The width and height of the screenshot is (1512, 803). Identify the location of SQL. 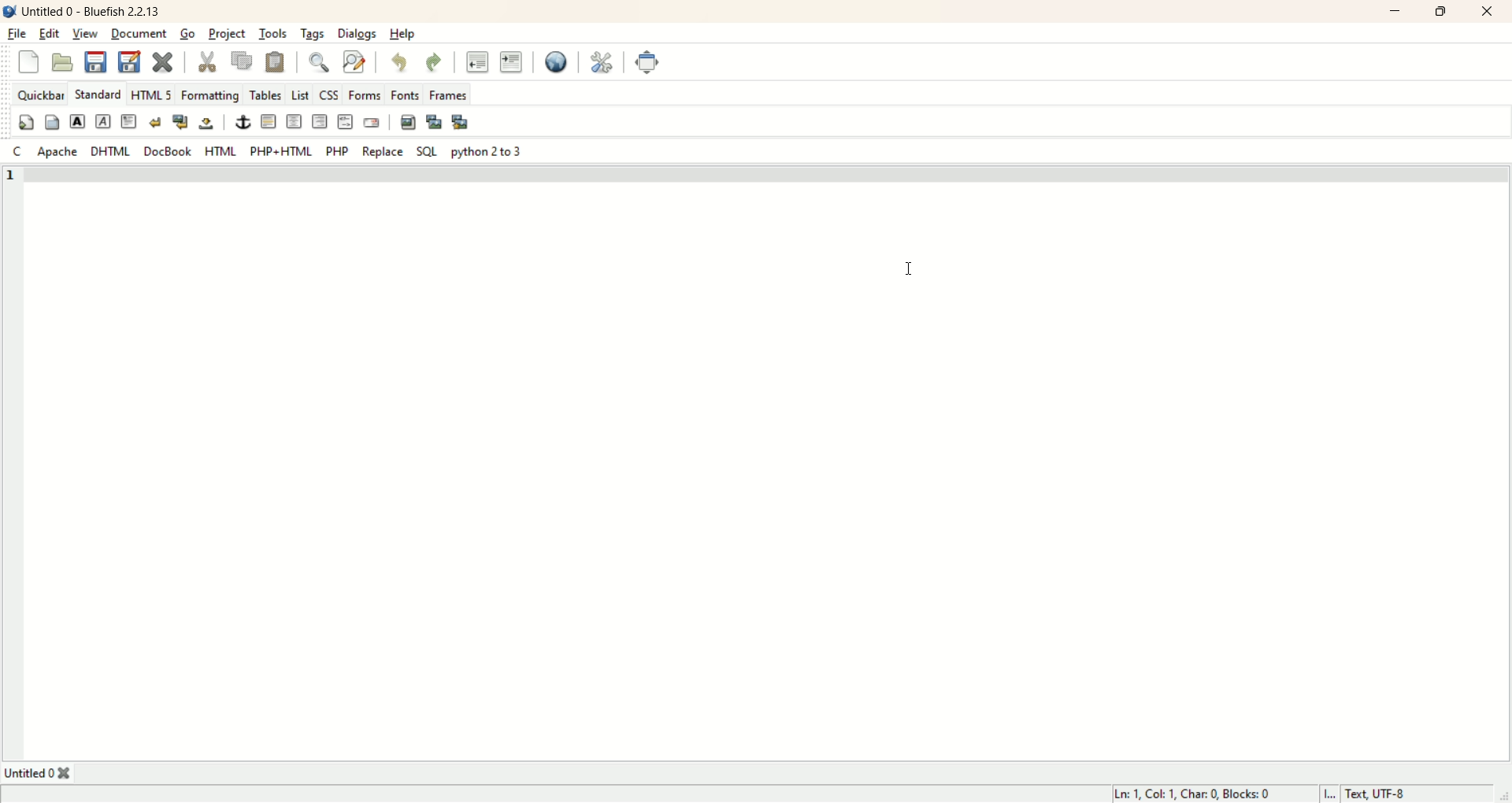
(427, 150).